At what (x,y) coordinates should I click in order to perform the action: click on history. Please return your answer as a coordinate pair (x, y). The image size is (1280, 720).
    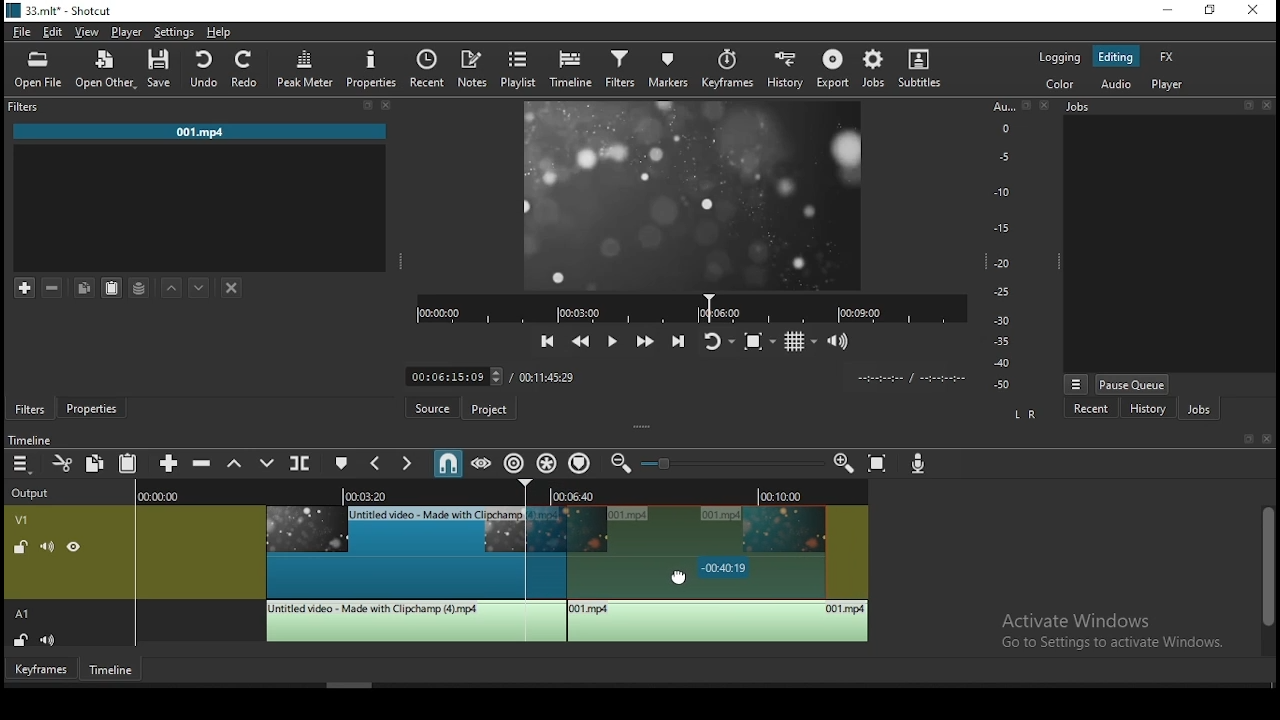
    Looking at the image, I should click on (785, 72).